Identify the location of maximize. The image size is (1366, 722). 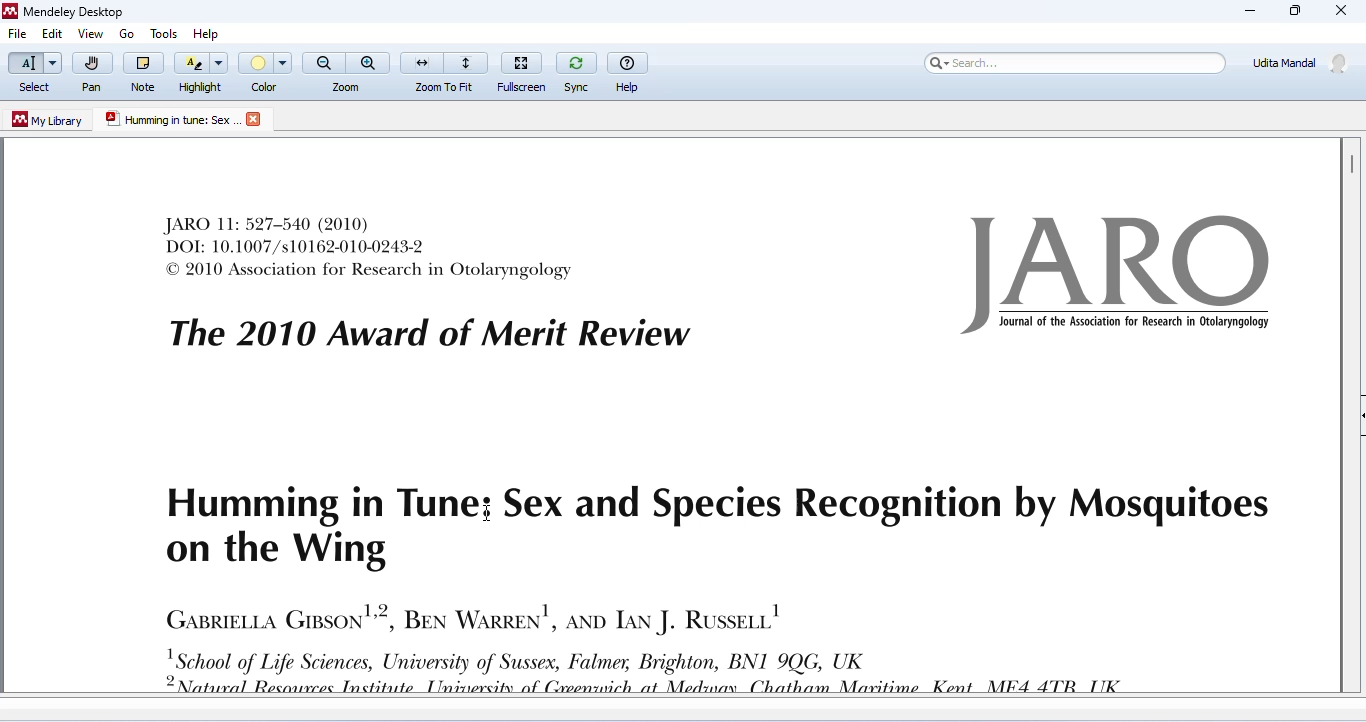
(1293, 11).